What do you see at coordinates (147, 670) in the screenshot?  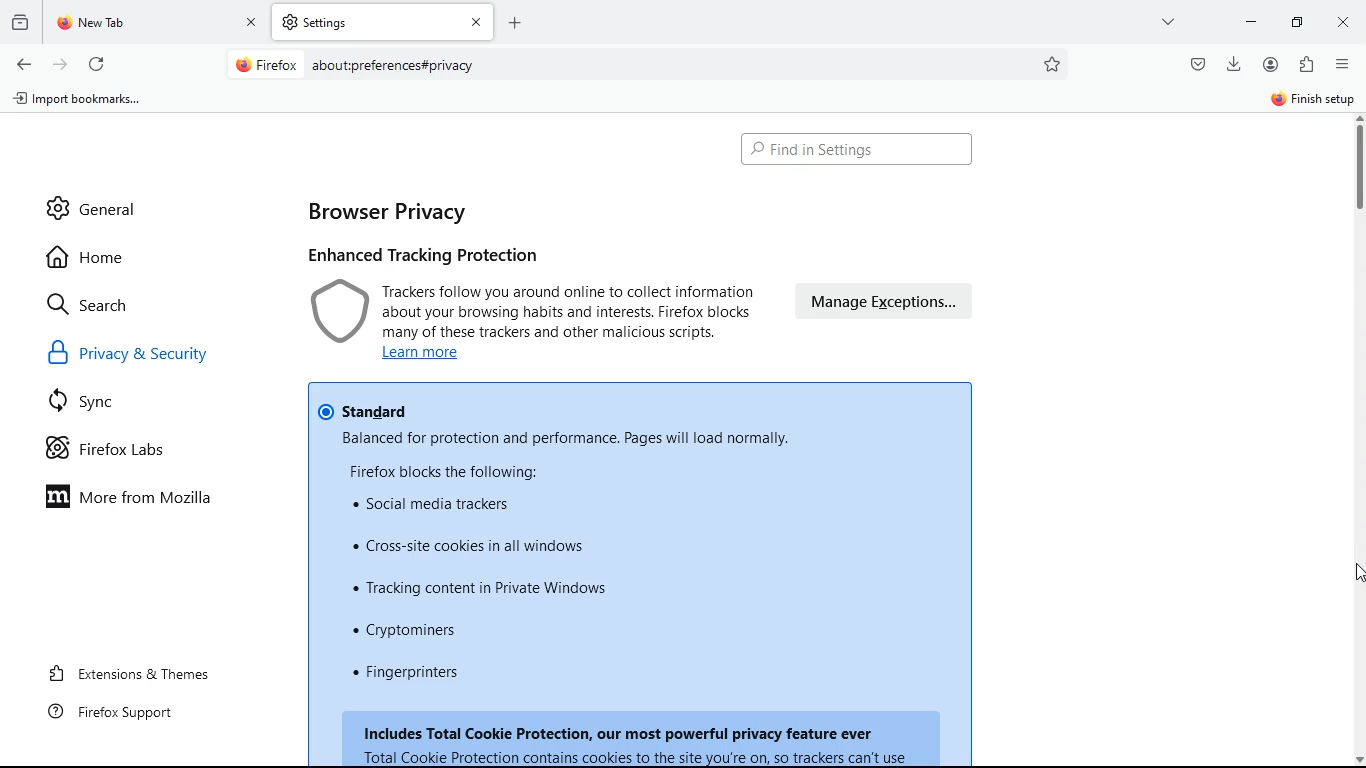 I see `extensions & themes` at bounding box center [147, 670].